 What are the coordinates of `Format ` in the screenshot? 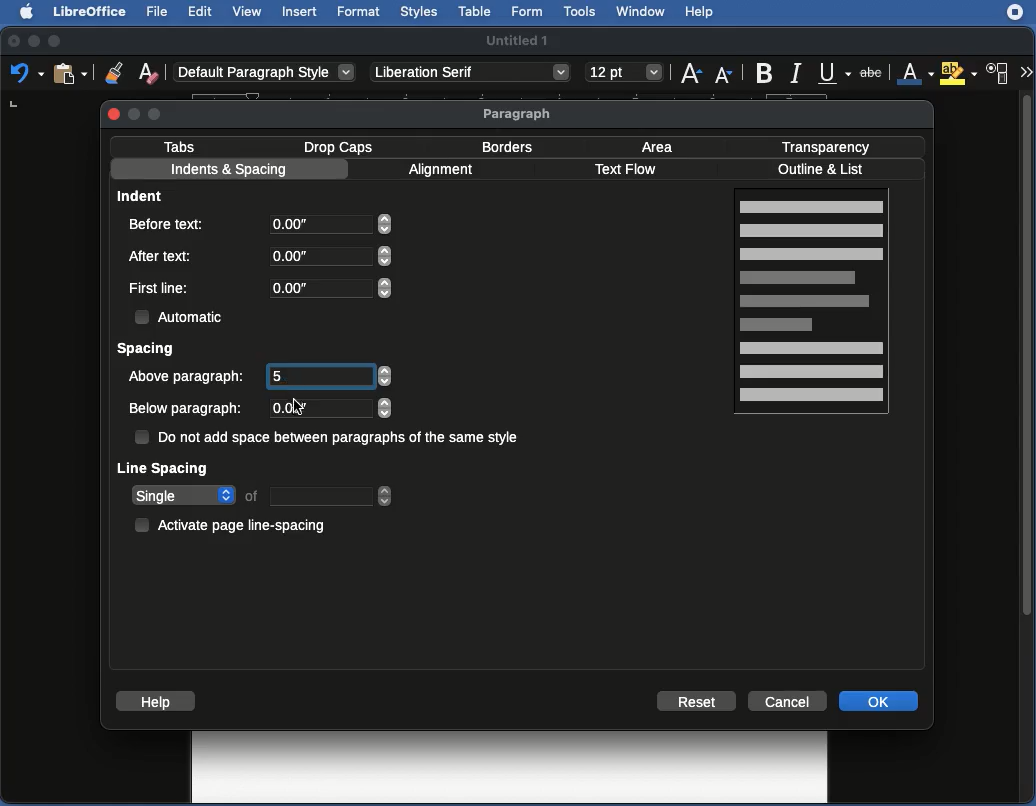 It's located at (358, 12).